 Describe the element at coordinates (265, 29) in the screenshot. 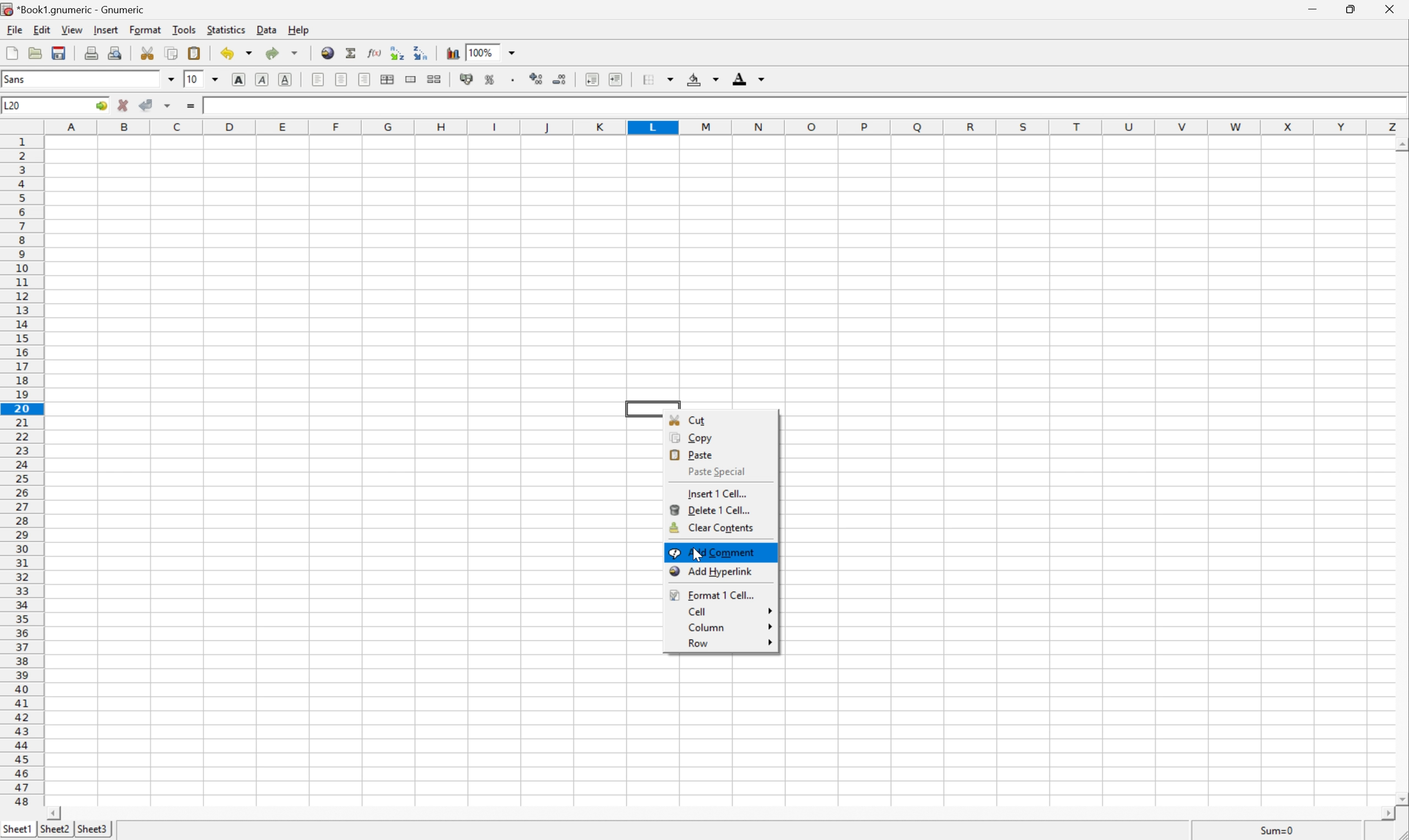

I see `Data` at that location.